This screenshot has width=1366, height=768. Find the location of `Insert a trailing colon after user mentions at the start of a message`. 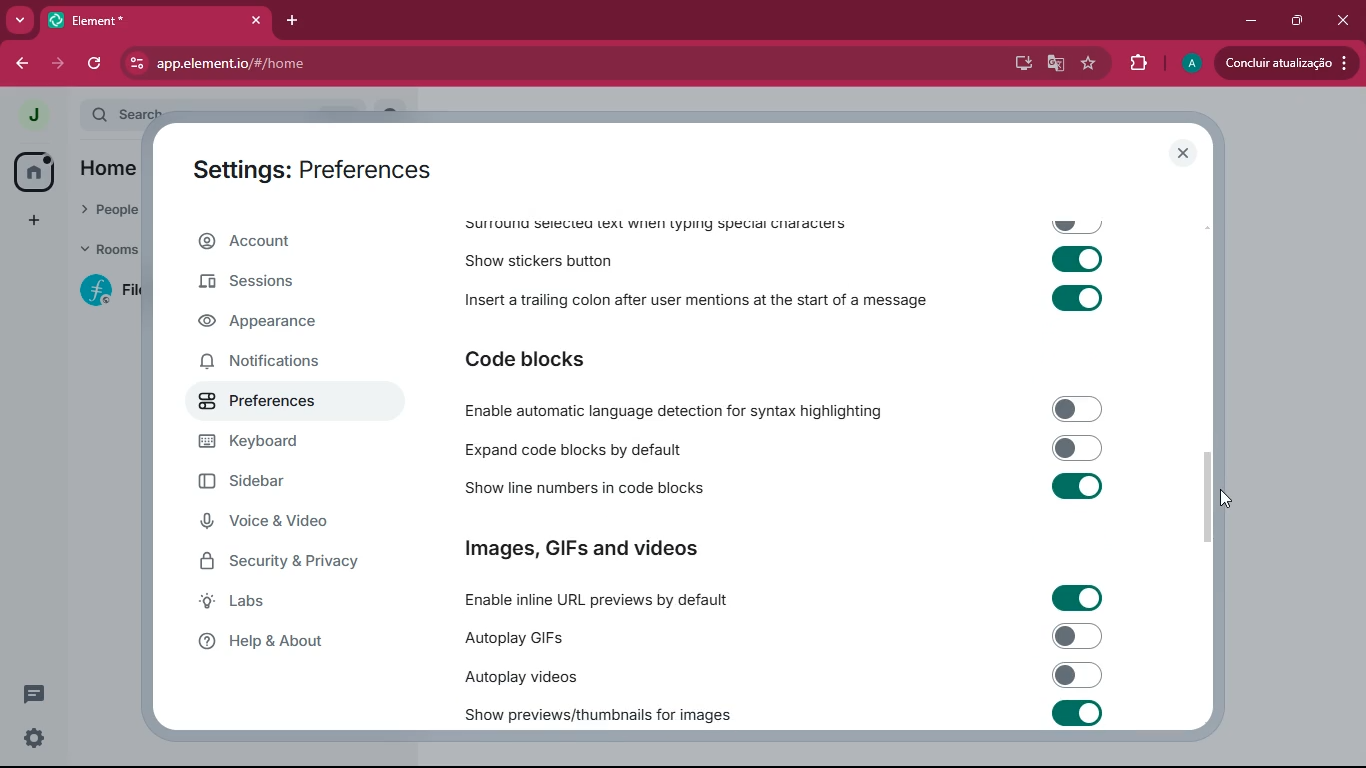

Insert a trailing colon after user mentions at the start of a message is located at coordinates (782, 301).